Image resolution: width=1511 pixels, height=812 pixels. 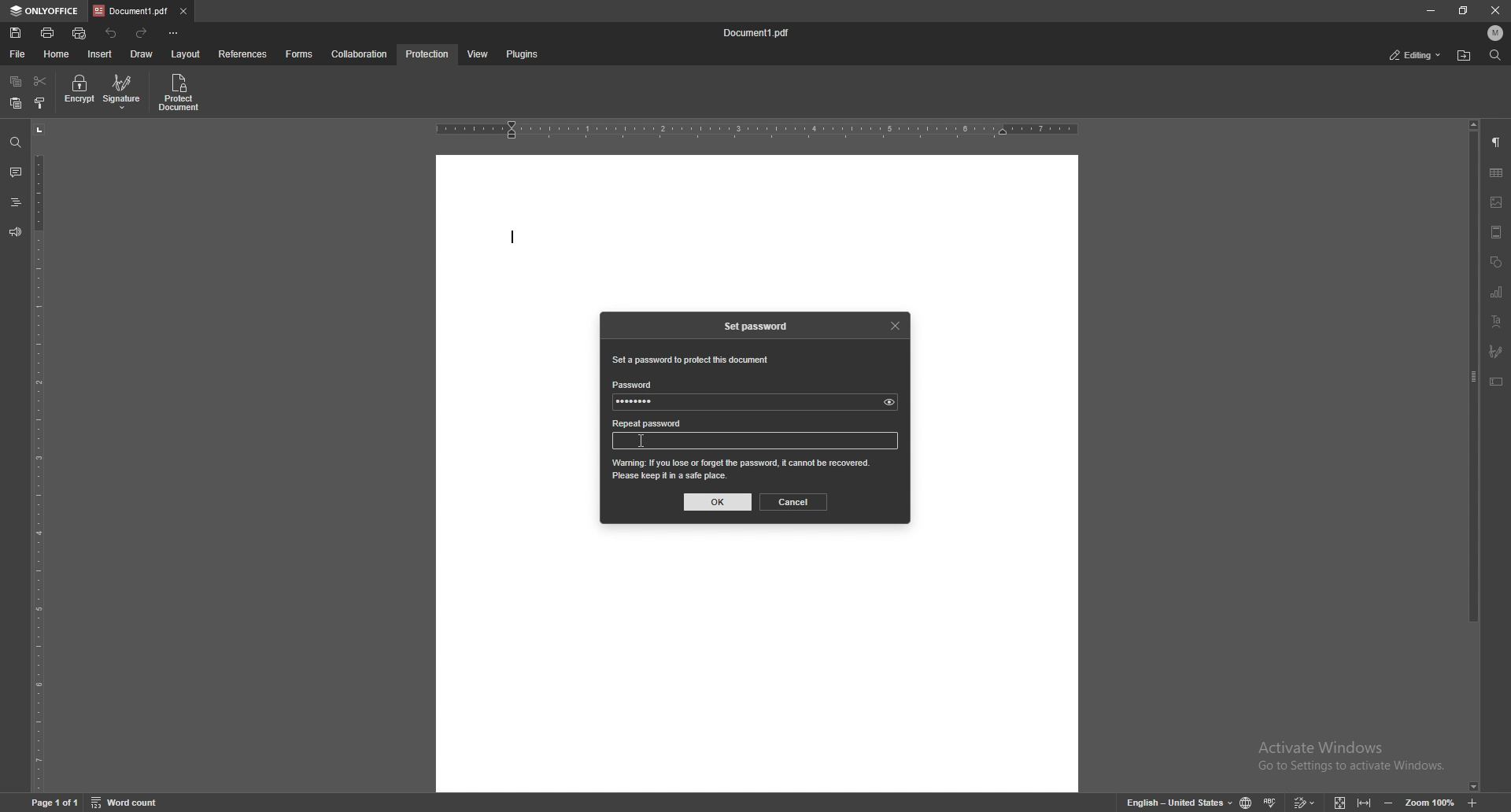 What do you see at coordinates (188, 54) in the screenshot?
I see `layout` at bounding box center [188, 54].